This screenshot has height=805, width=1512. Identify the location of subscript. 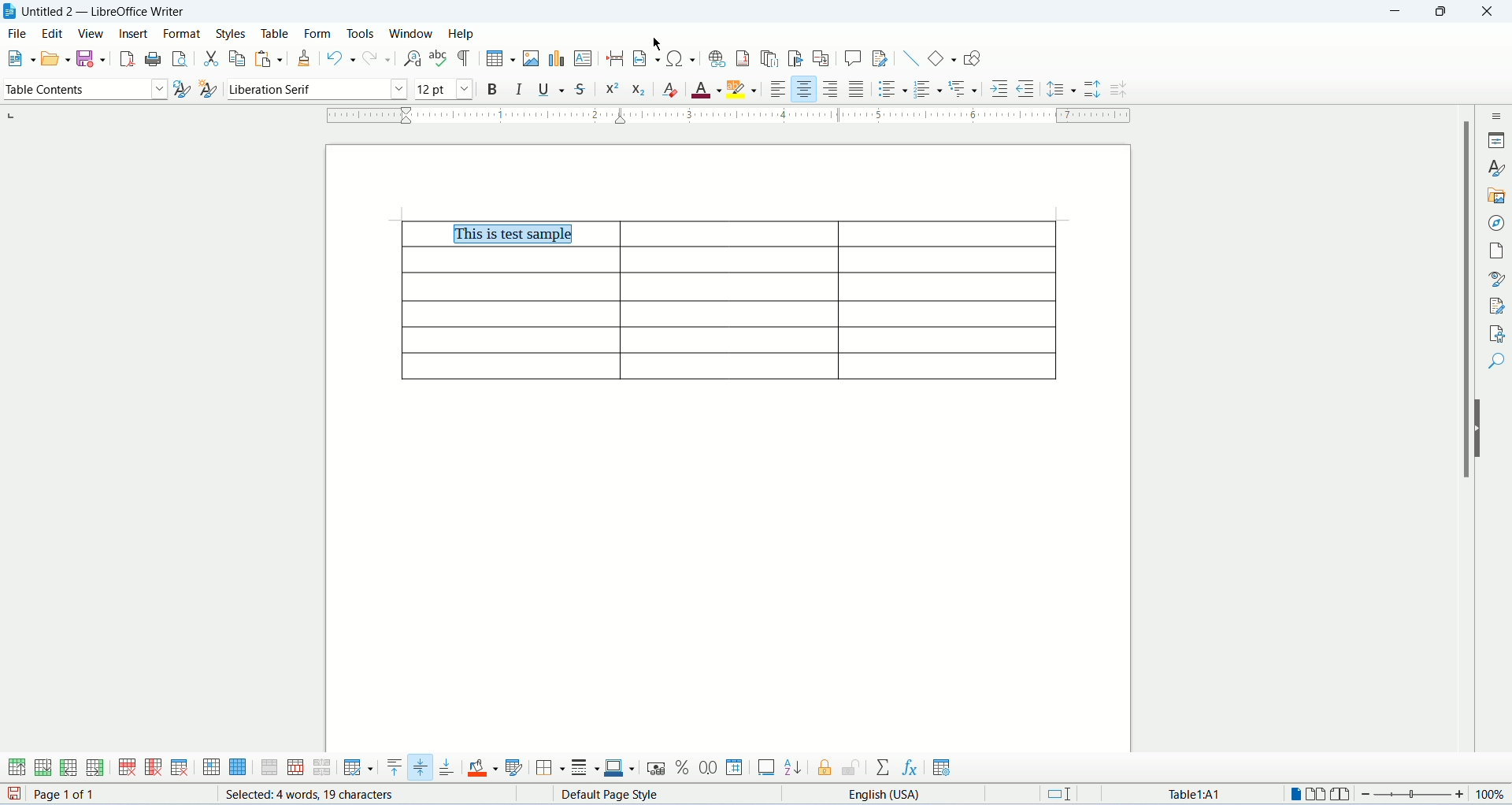
(636, 91).